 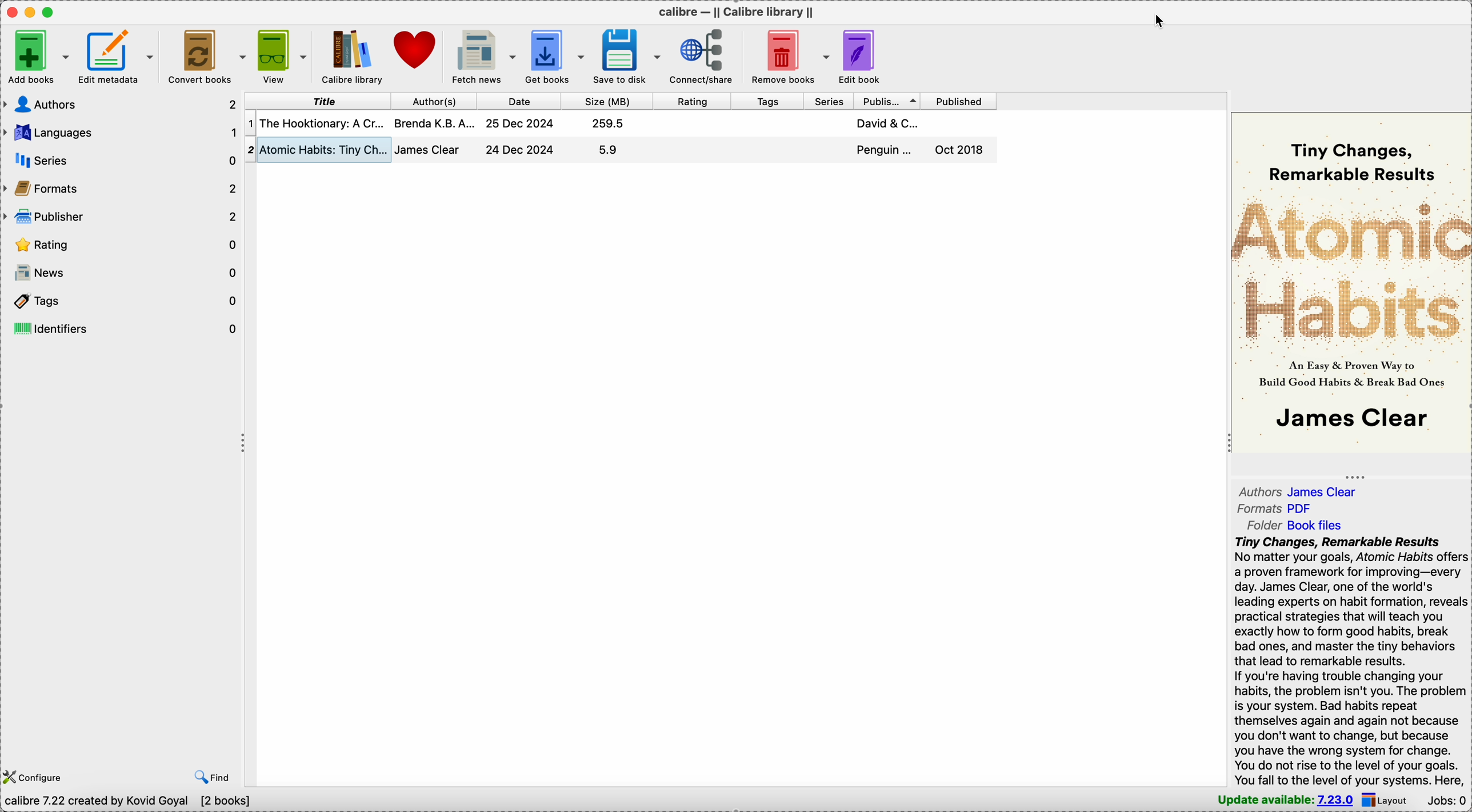 I want to click on cursor, so click(x=1160, y=21).